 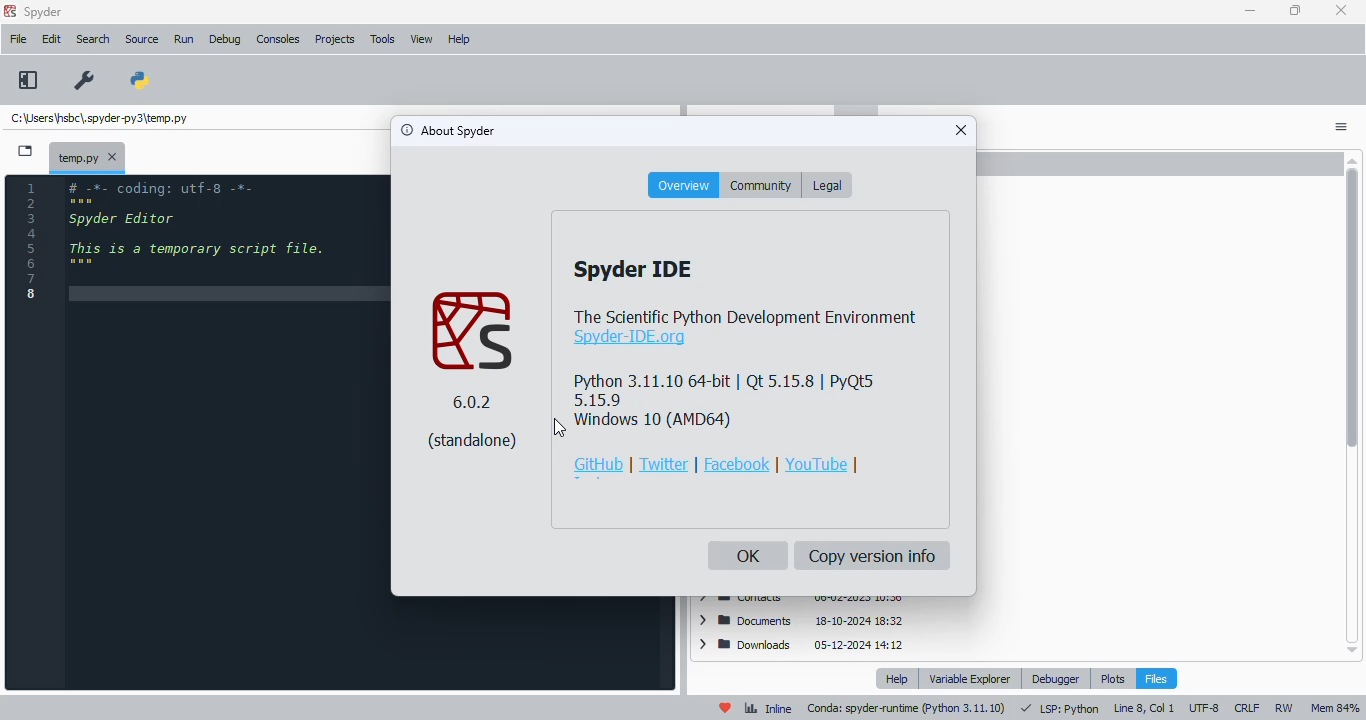 What do you see at coordinates (102, 118) in the screenshot?
I see `temporary file` at bounding box center [102, 118].